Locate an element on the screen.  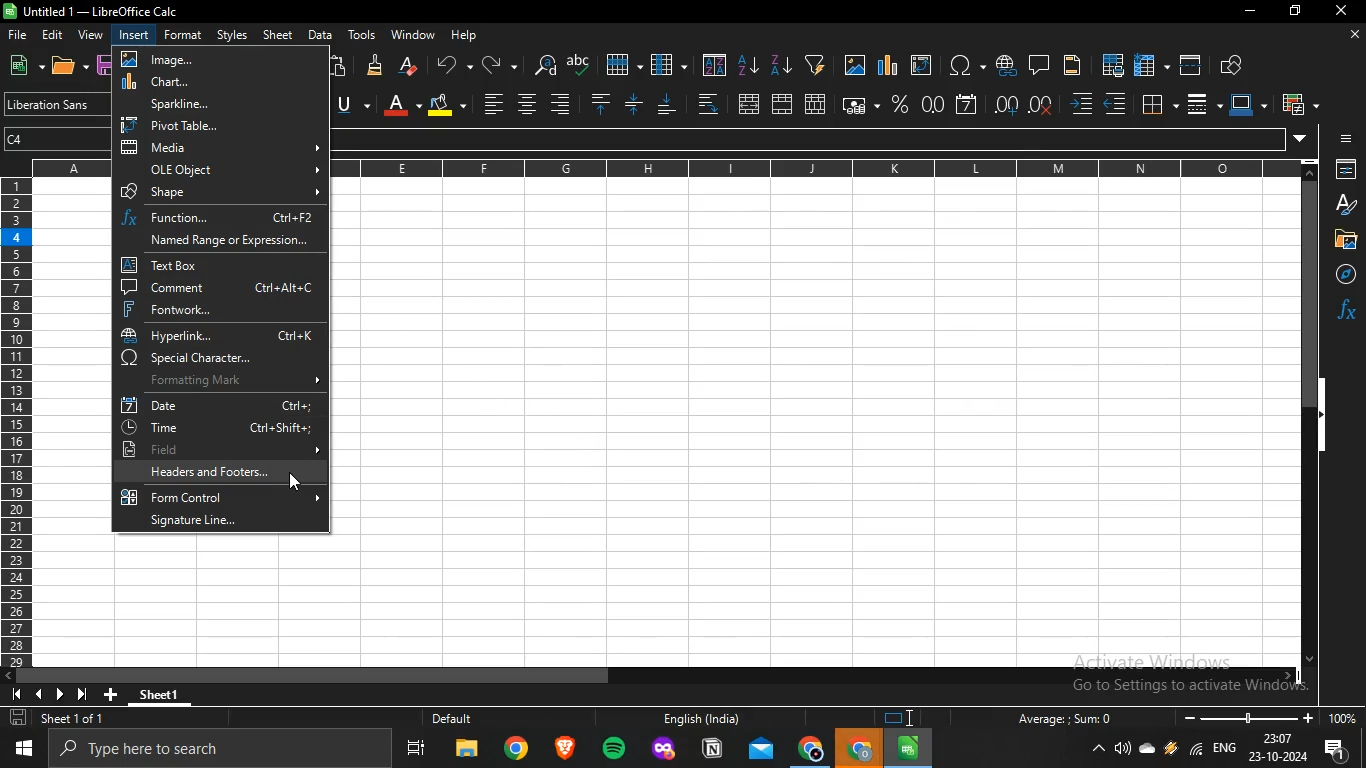
clone formatting is located at coordinates (374, 66).